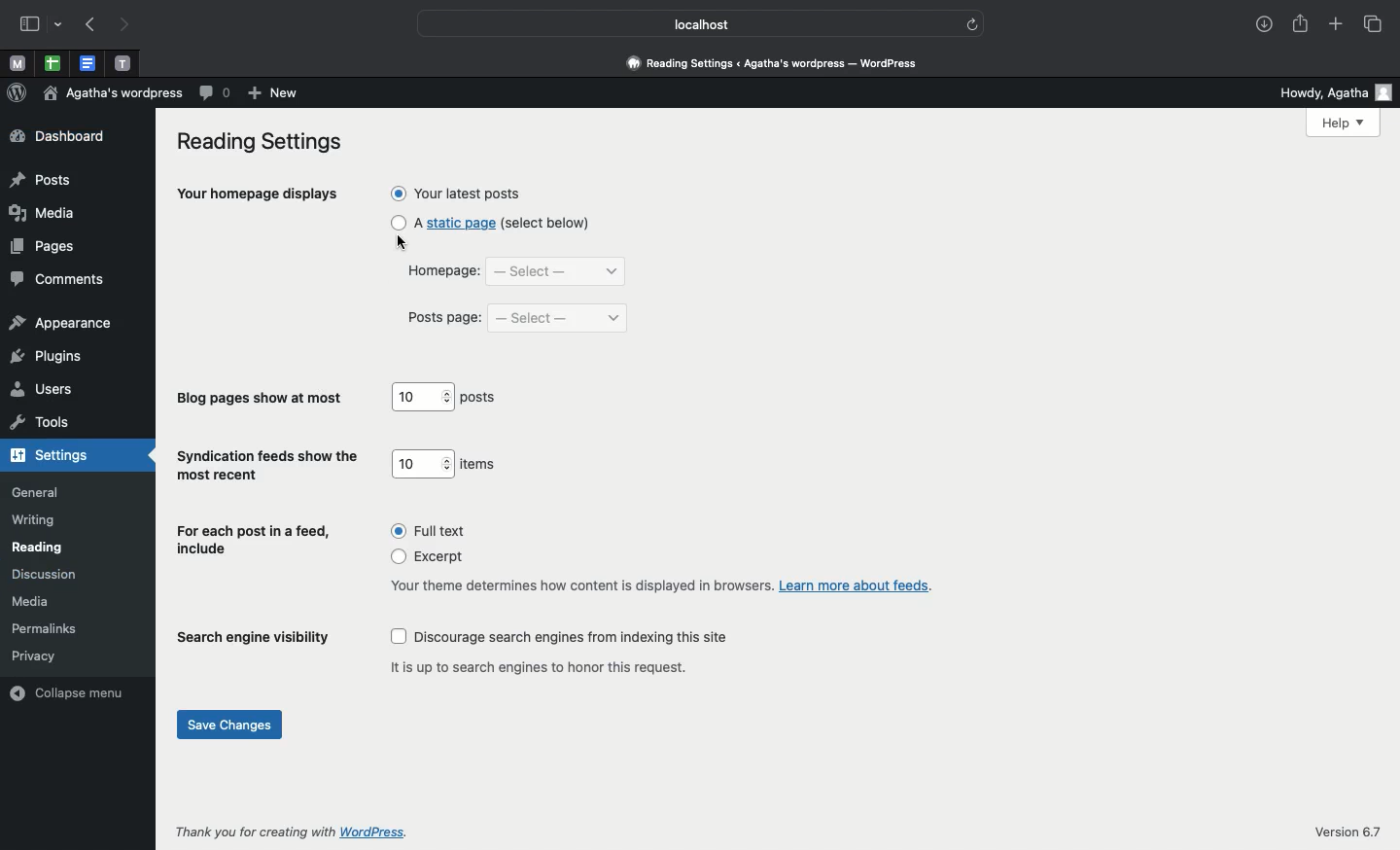 The height and width of the screenshot is (850, 1400). What do you see at coordinates (50, 628) in the screenshot?
I see `permalinks` at bounding box center [50, 628].